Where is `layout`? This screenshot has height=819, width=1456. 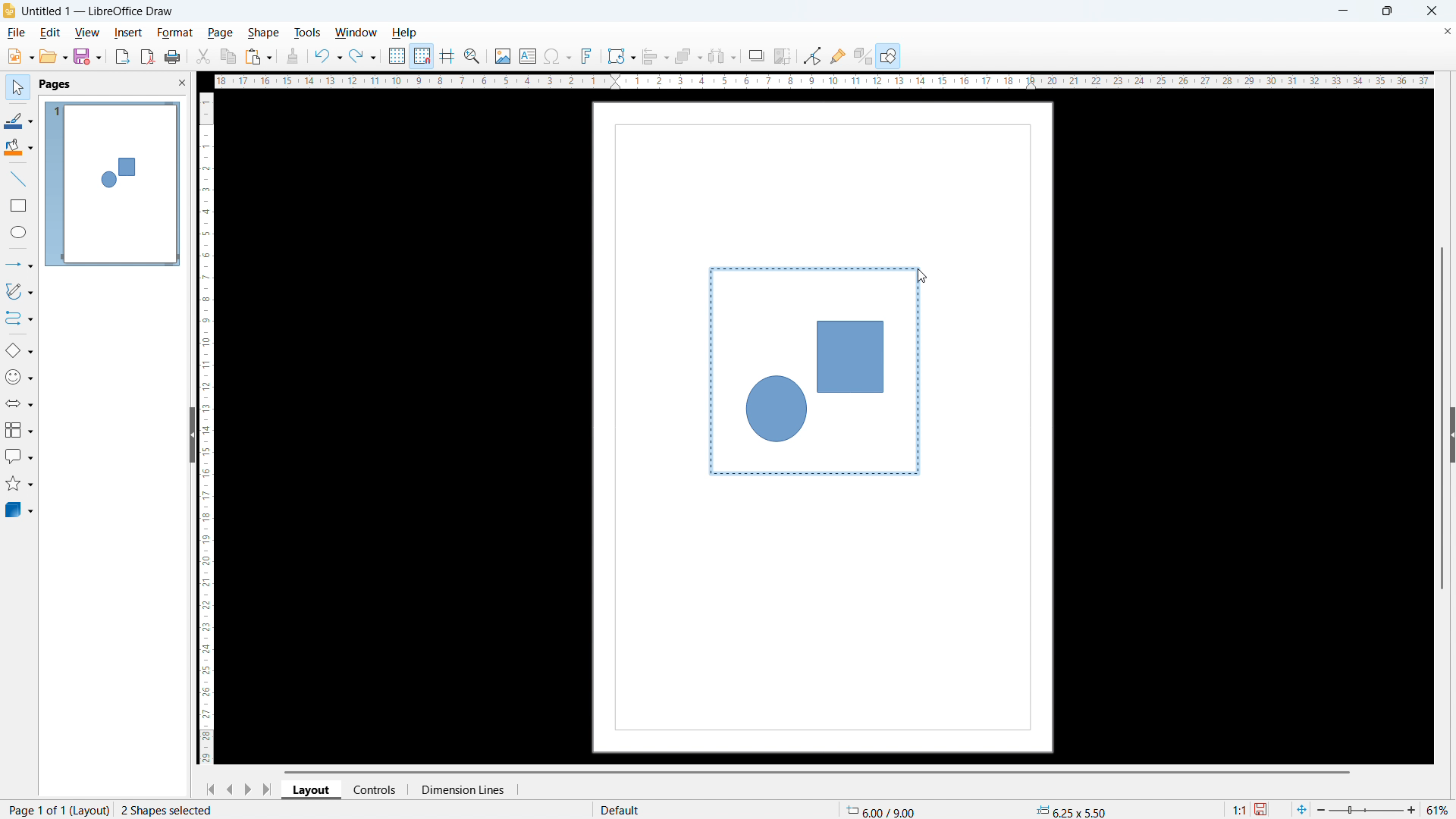 layout is located at coordinates (312, 790).